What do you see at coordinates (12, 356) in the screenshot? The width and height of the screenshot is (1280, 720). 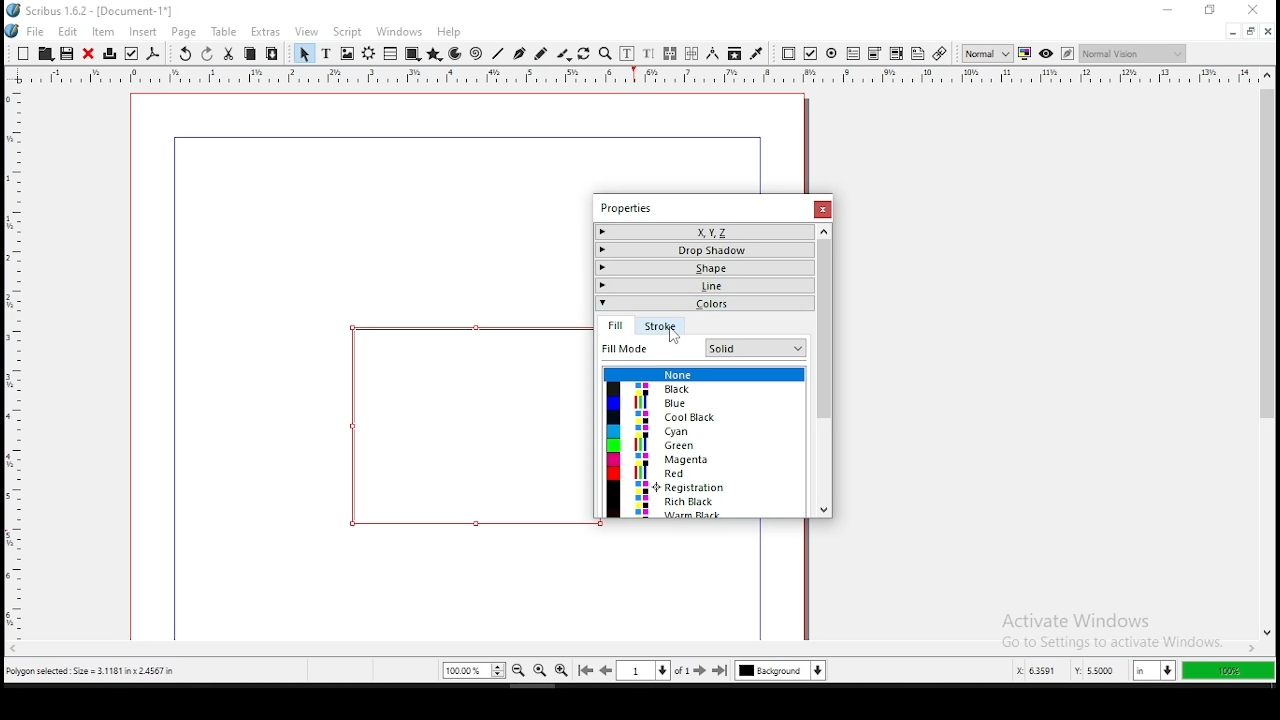 I see `horizontal ruler` at bounding box center [12, 356].